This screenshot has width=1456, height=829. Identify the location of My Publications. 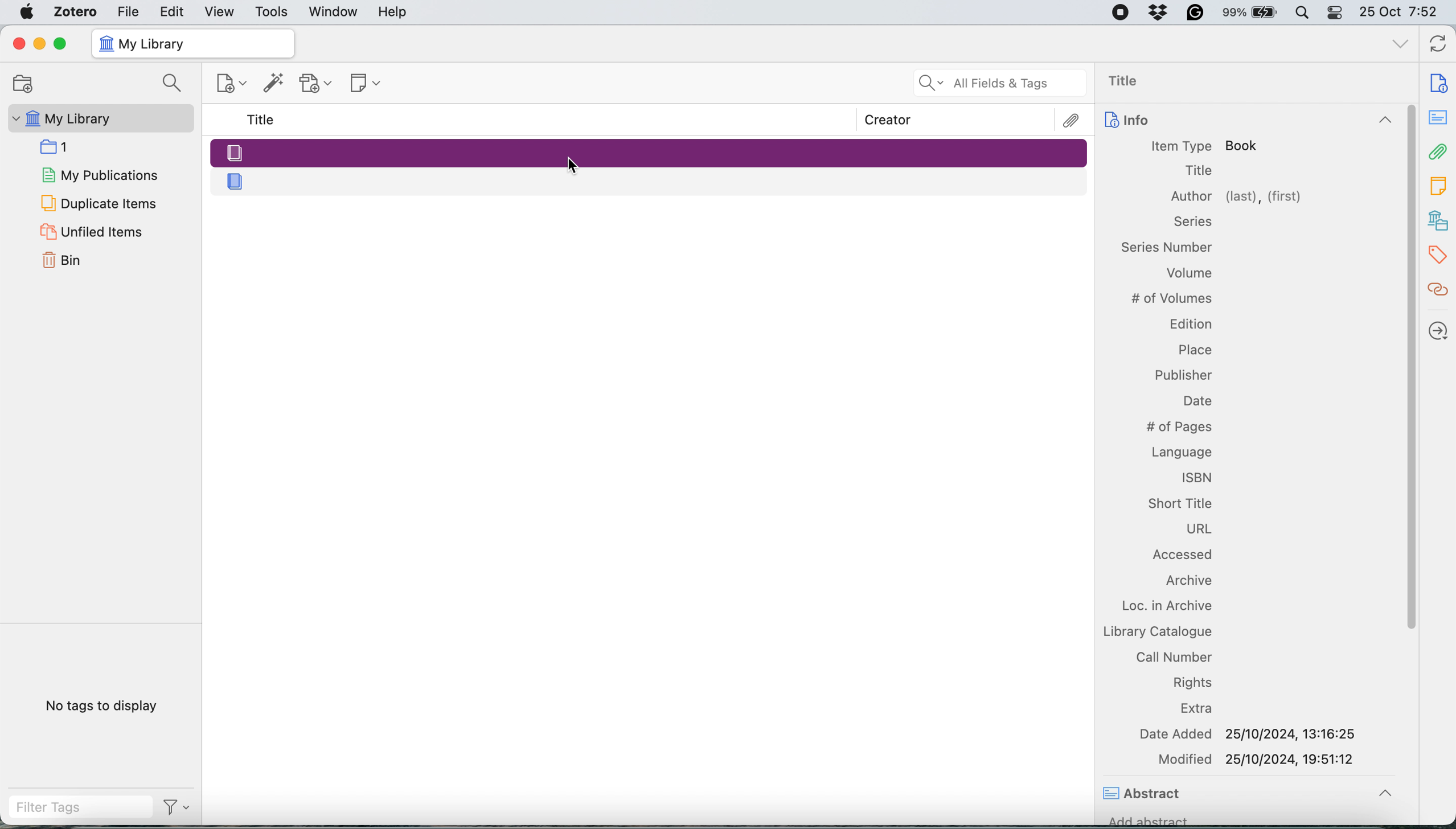
(99, 173).